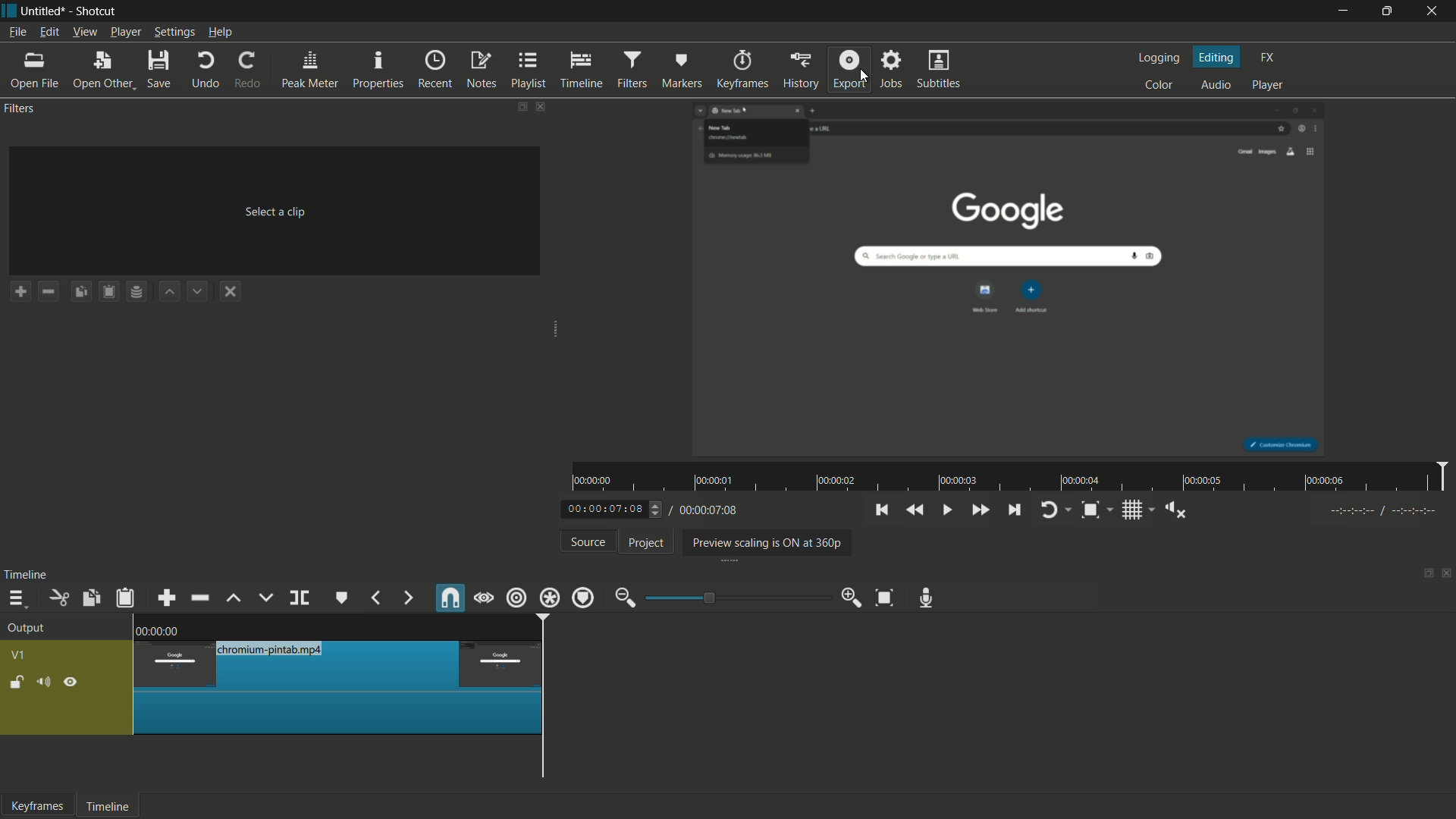  Describe the element at coordinates (880, 510) in the screenshot. I see `skip to the previous point` at that location.